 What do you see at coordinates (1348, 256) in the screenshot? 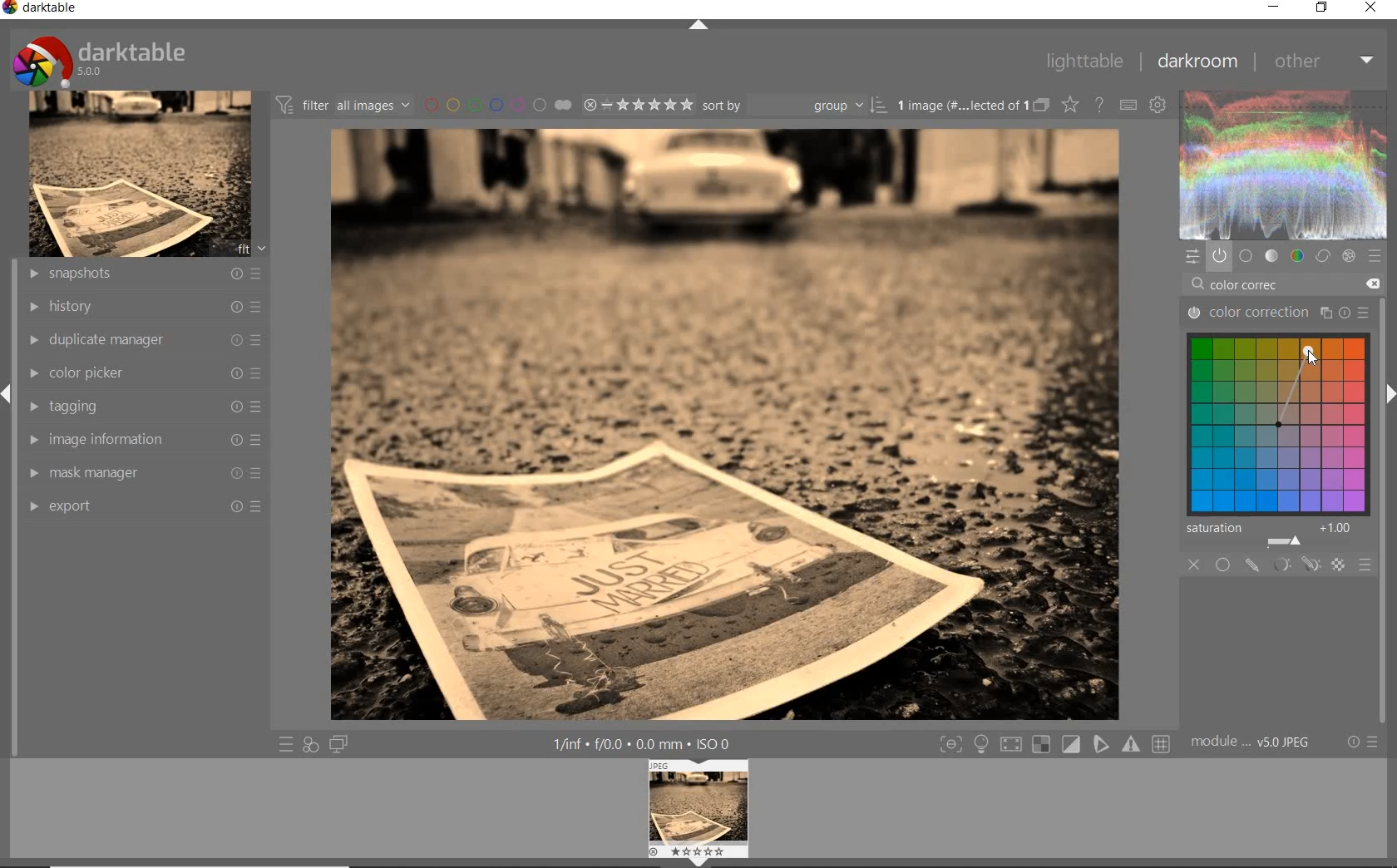
I see `effect` at bounding box center [1348, 256].